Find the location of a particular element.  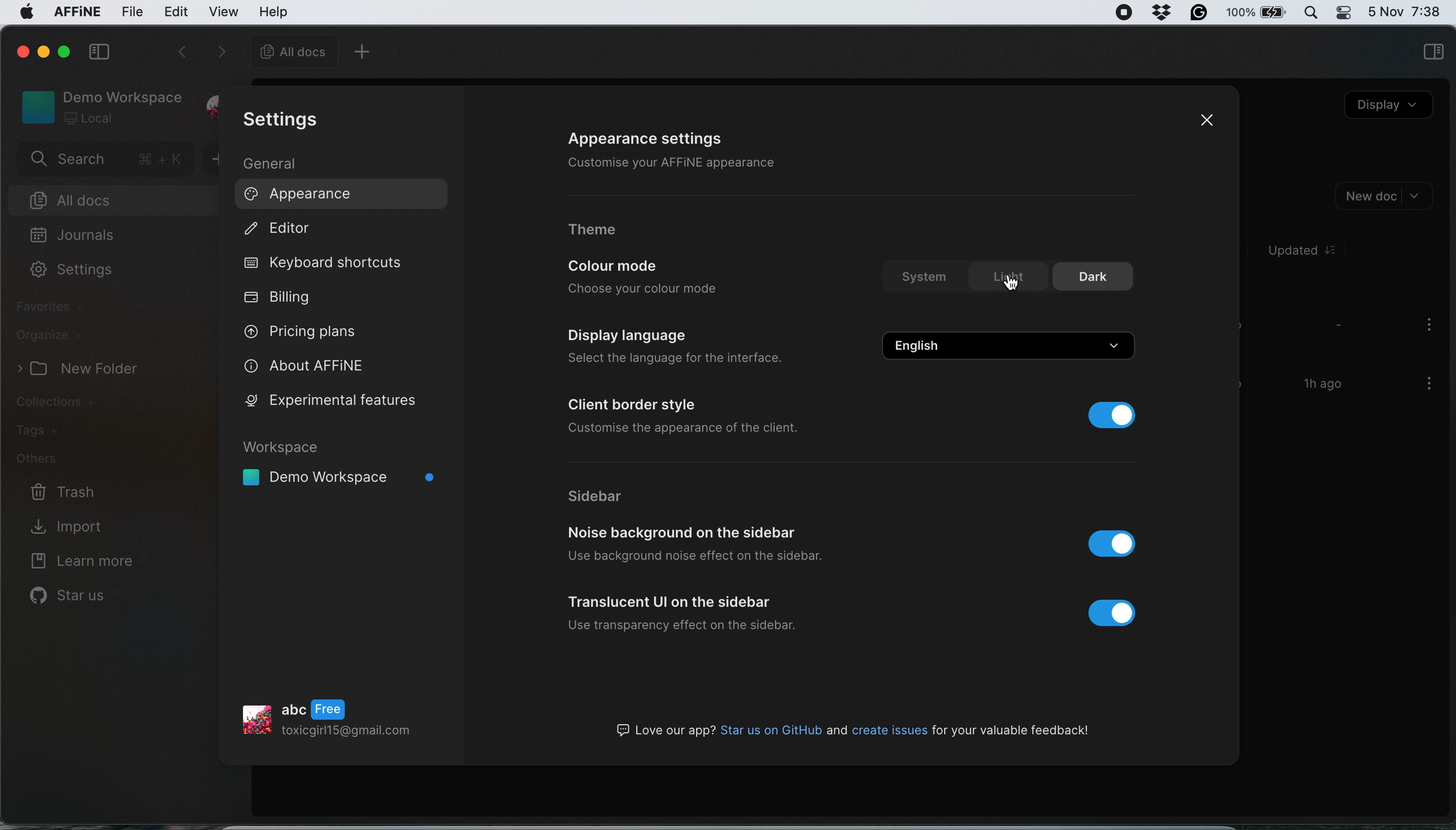

use background noise effect on the sidebar is located at coordinates (694, 556).